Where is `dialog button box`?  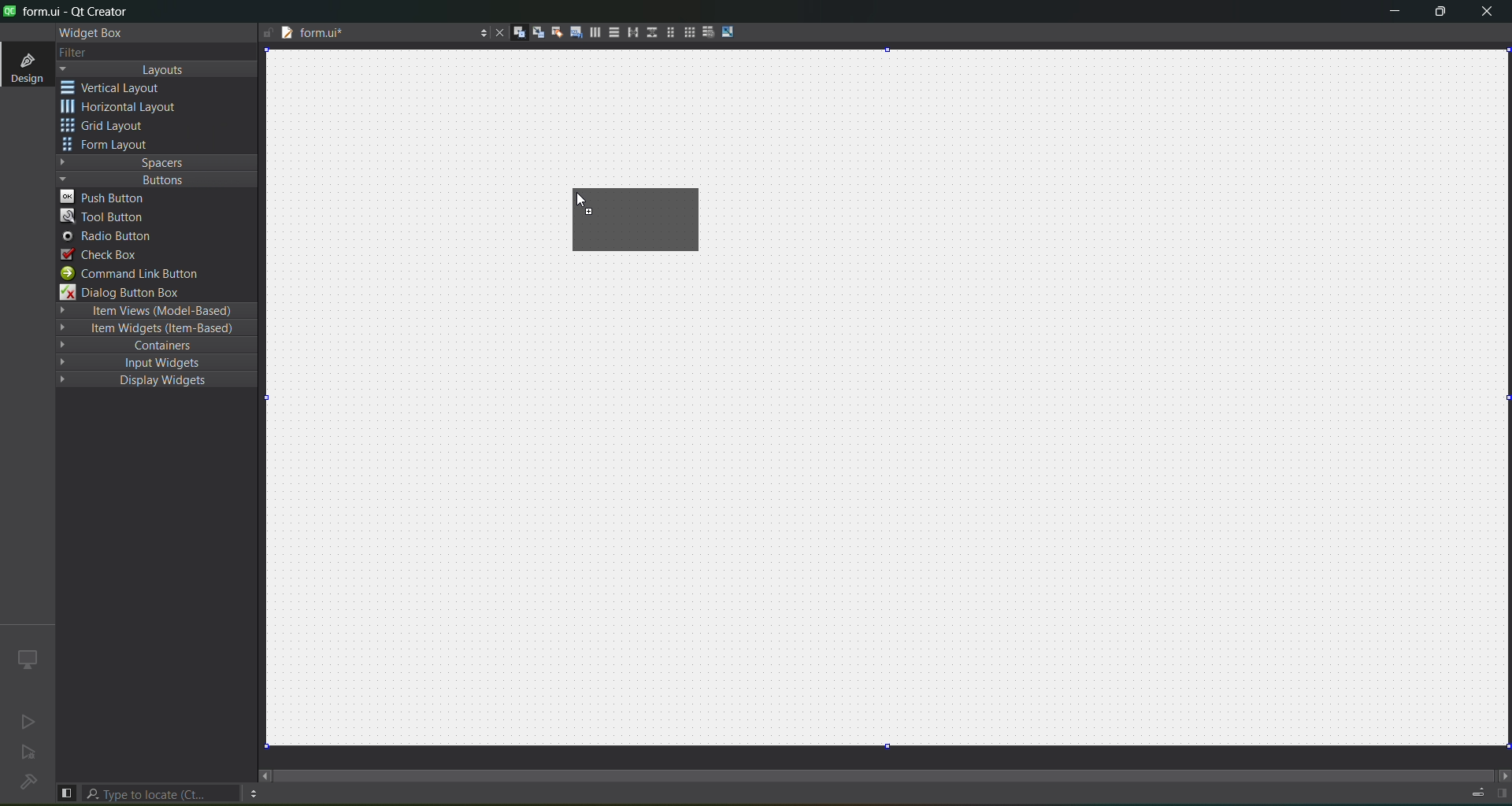 dialog button box is located at coordinates (130, 293).